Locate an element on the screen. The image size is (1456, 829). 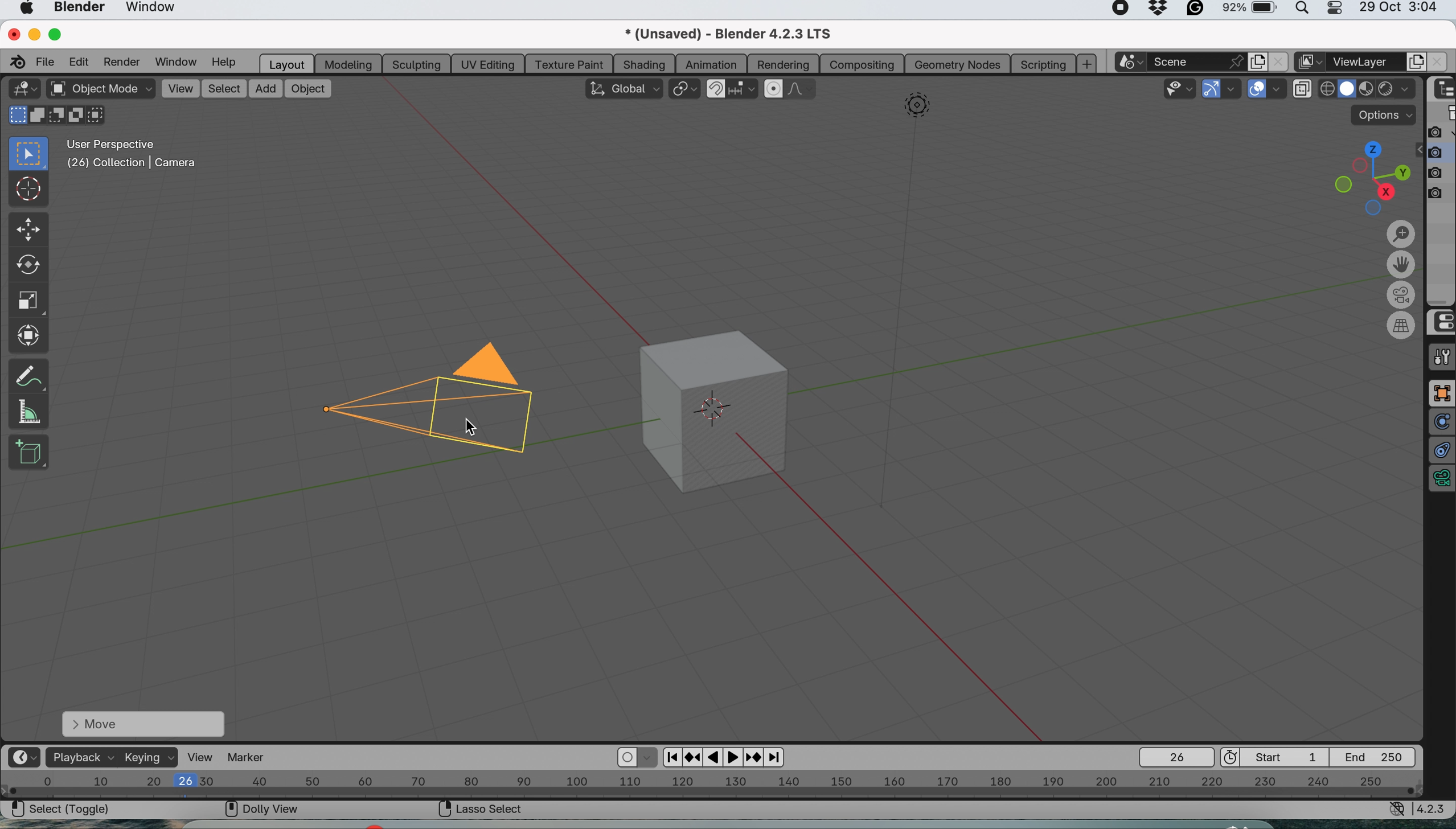
grammarly is located at coordinates (1196, 10).